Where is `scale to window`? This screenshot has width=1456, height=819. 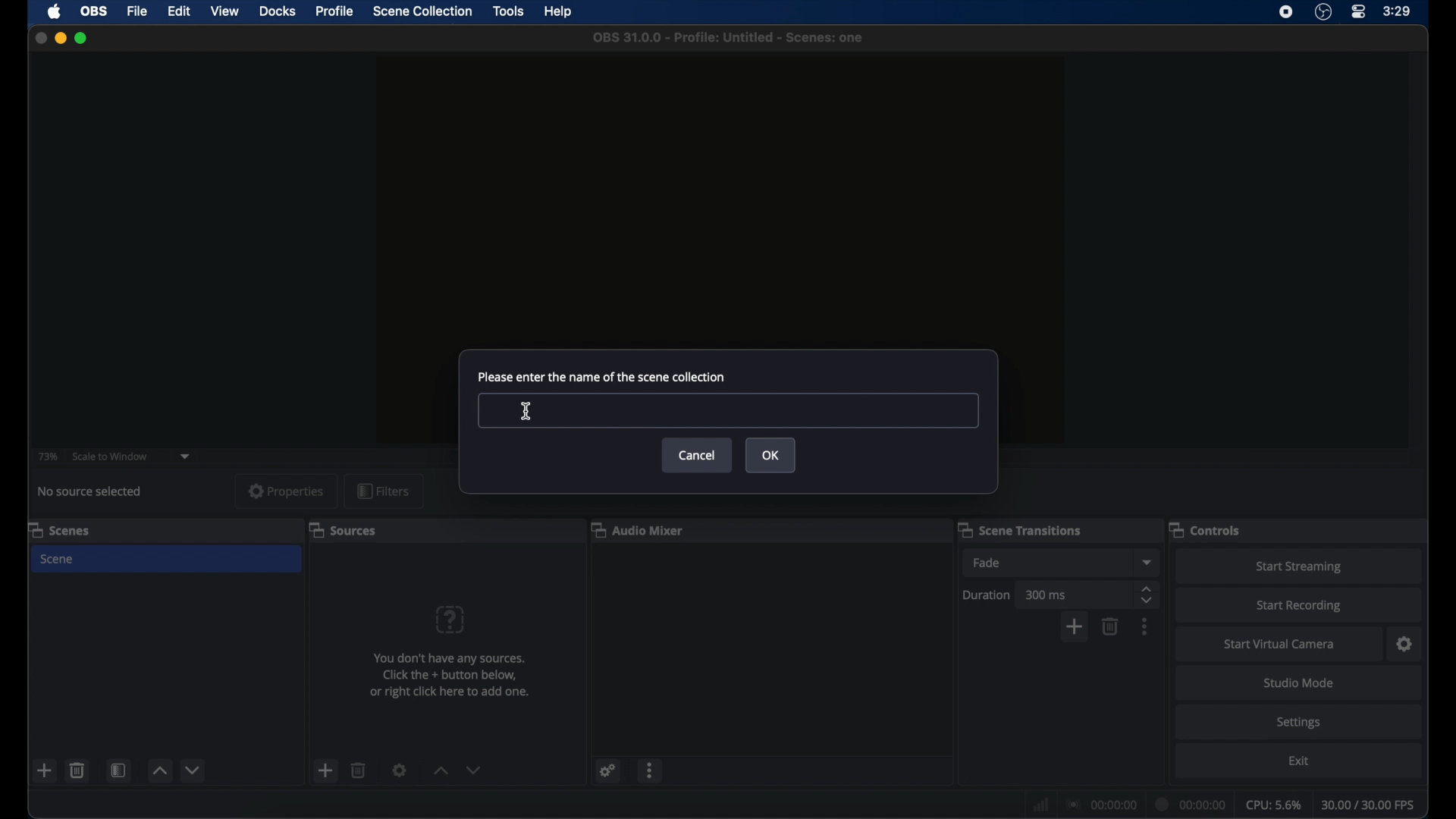
scale to window is located at coordinates (110, 457).